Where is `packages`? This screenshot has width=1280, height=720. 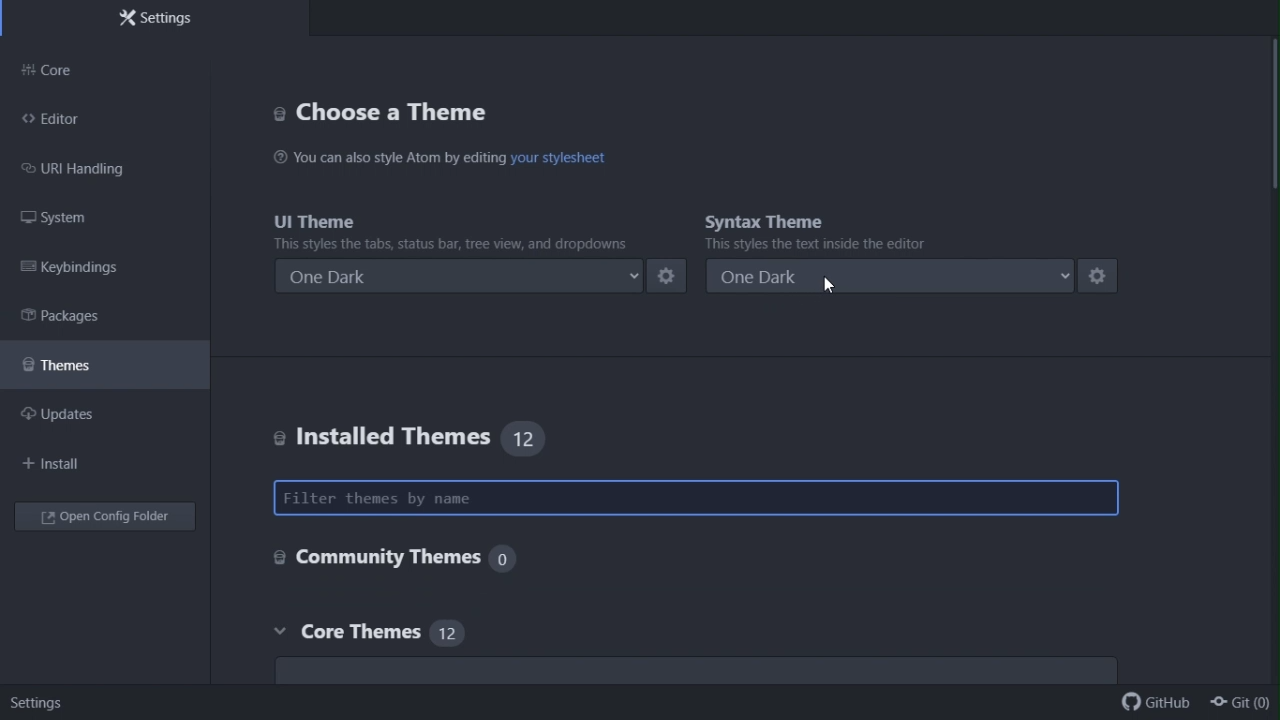 packages is located at coordinates (83, 315).